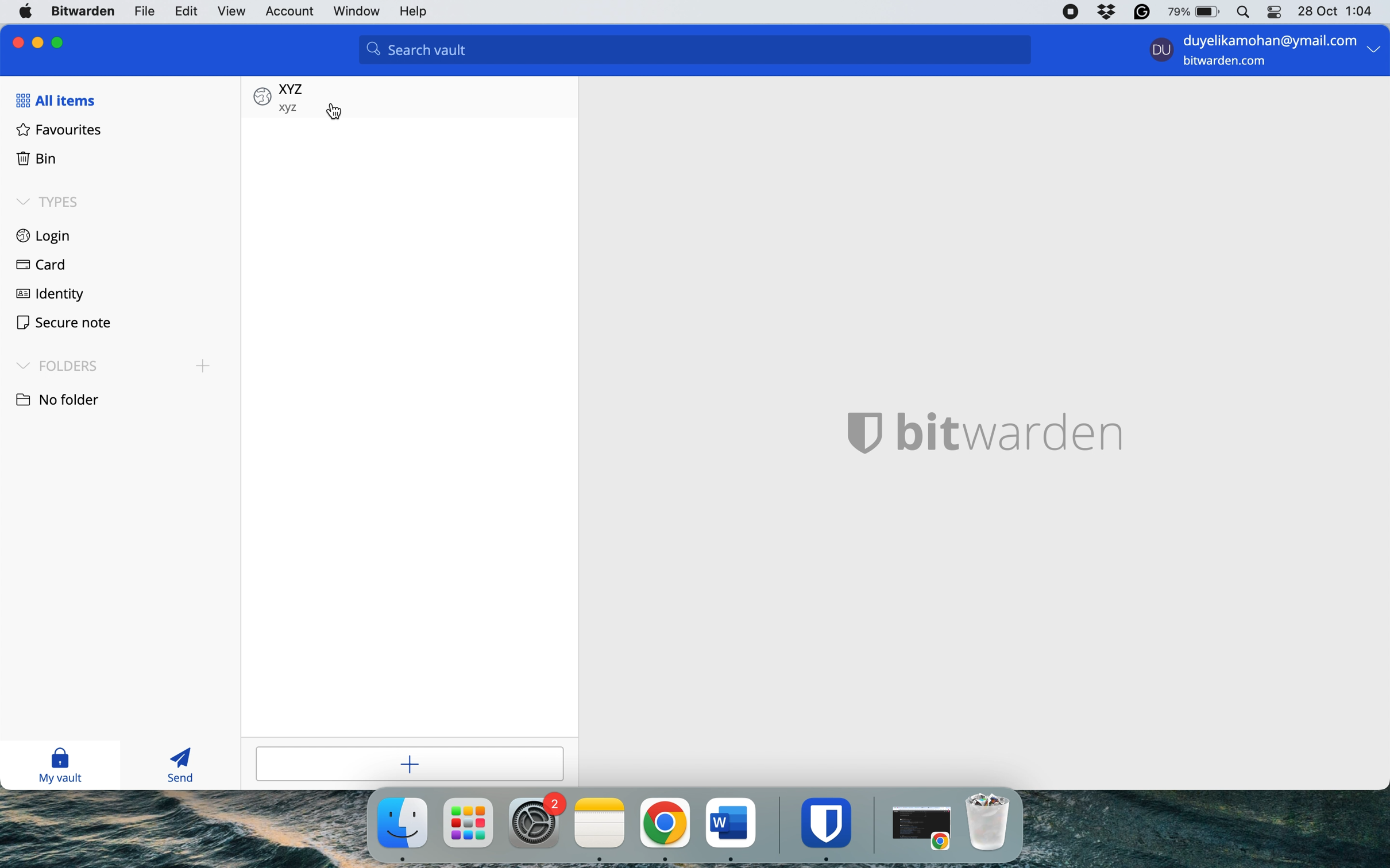 The height and width of the screenshot is (868, 1390). What do you see at coordinates (702, 52) in the screenshot?
I see `search valut` at bounding box center [702, 52].